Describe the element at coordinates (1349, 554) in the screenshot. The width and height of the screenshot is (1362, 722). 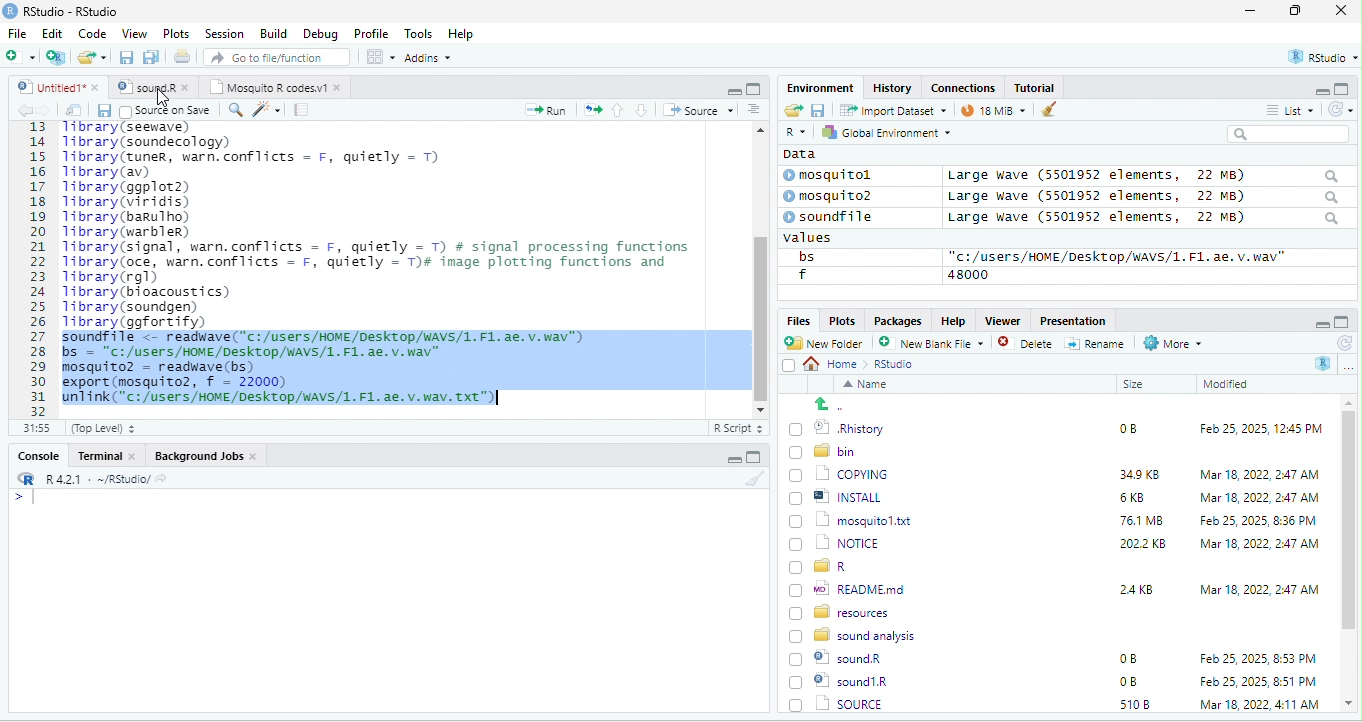
I see `scroll bar` at that location.